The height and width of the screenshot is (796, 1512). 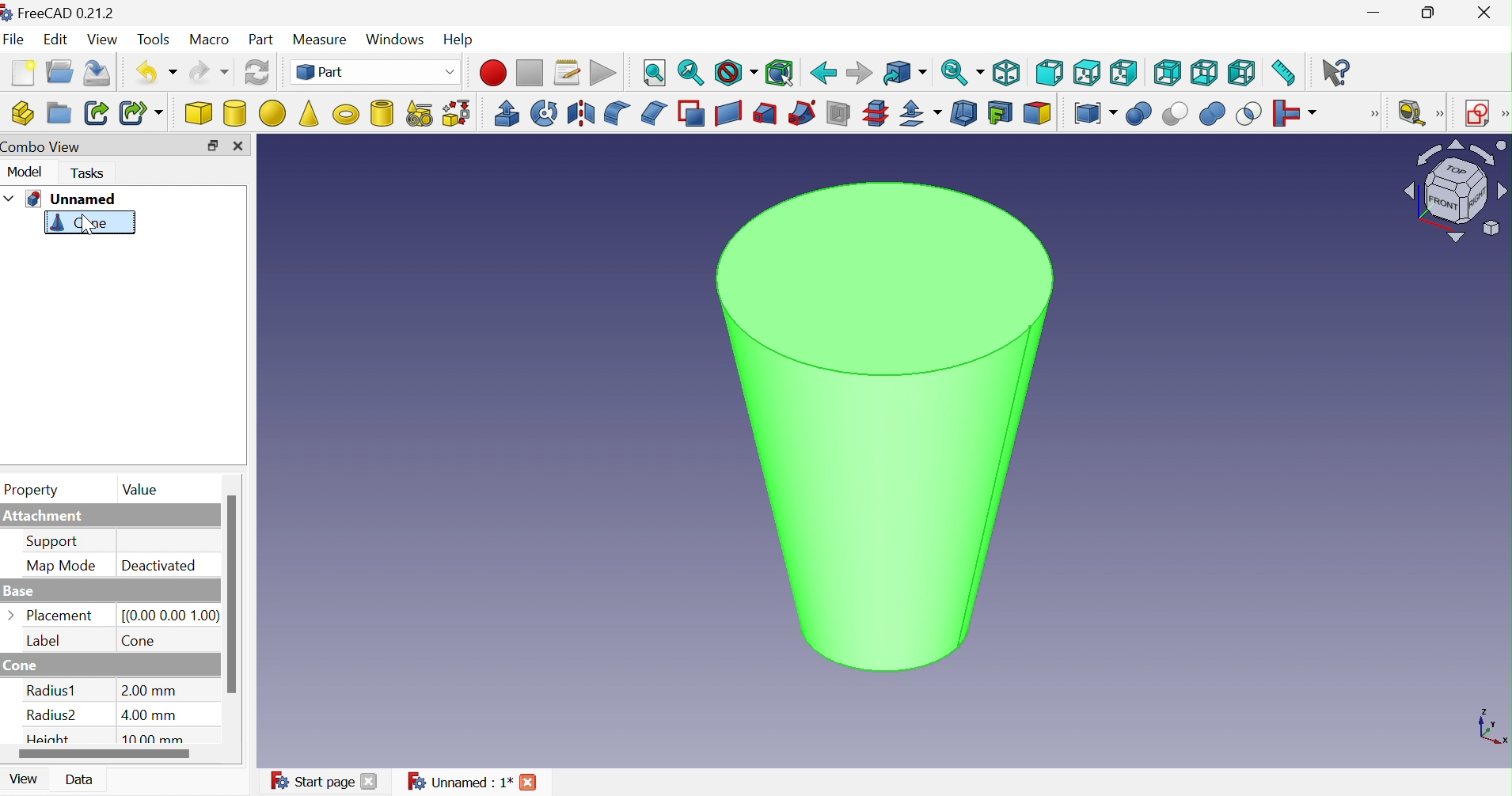 I want to click on Cylinder, so click(x=234, y=115).